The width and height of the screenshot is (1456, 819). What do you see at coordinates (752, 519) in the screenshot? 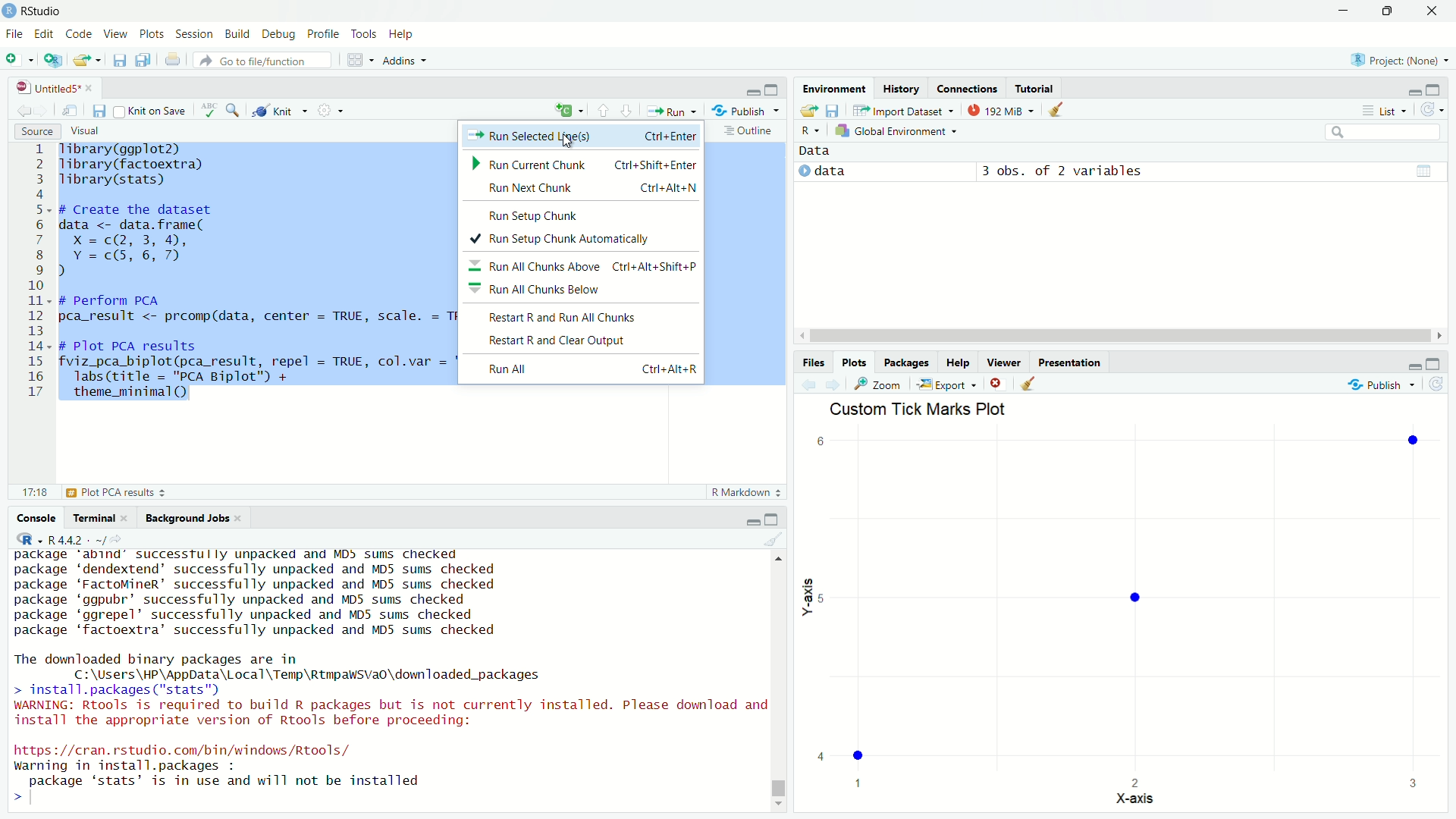
I see `minimize` at bounding box center [752, 519].